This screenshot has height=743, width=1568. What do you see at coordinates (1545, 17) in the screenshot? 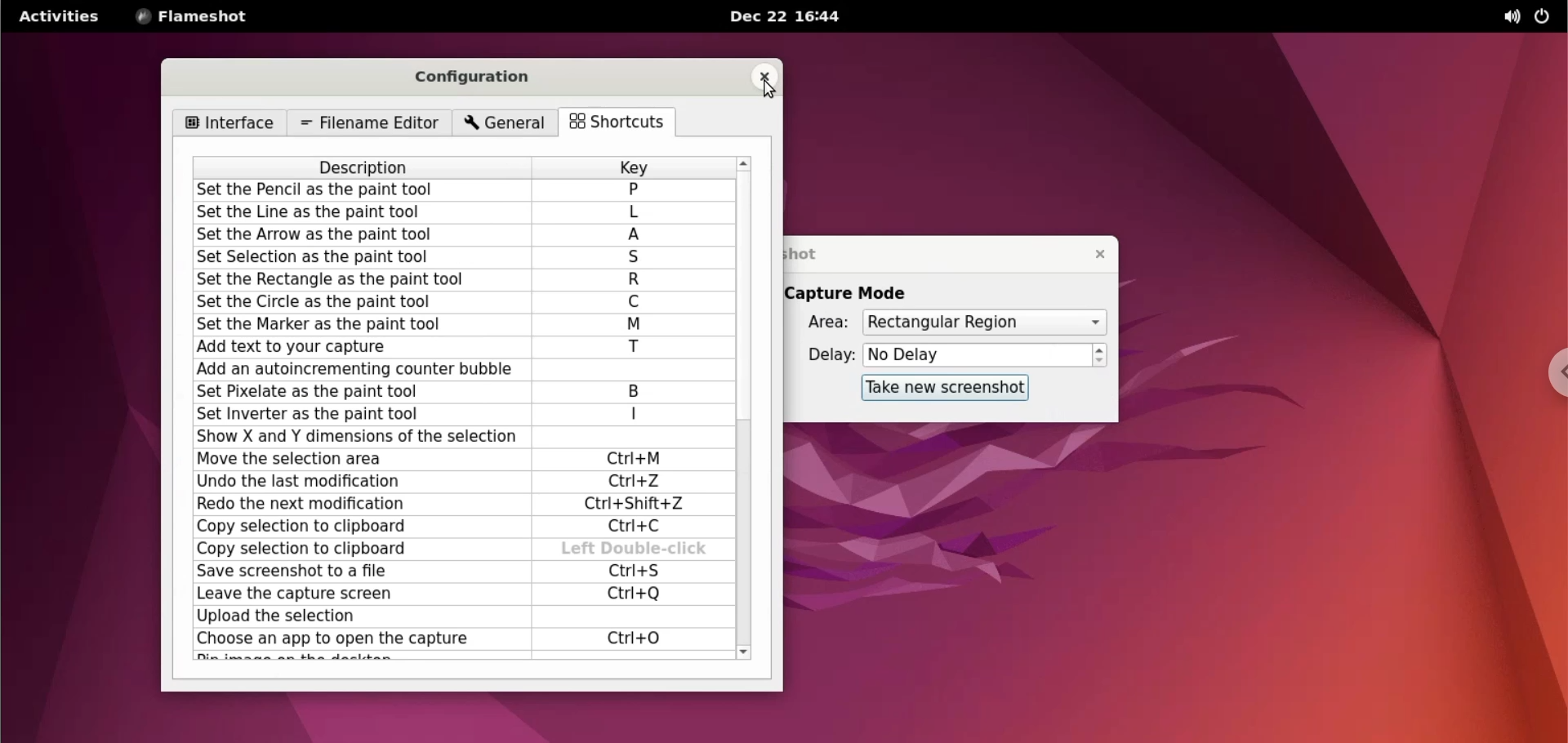
I see `power options ` at bounding box center [1545, 17].